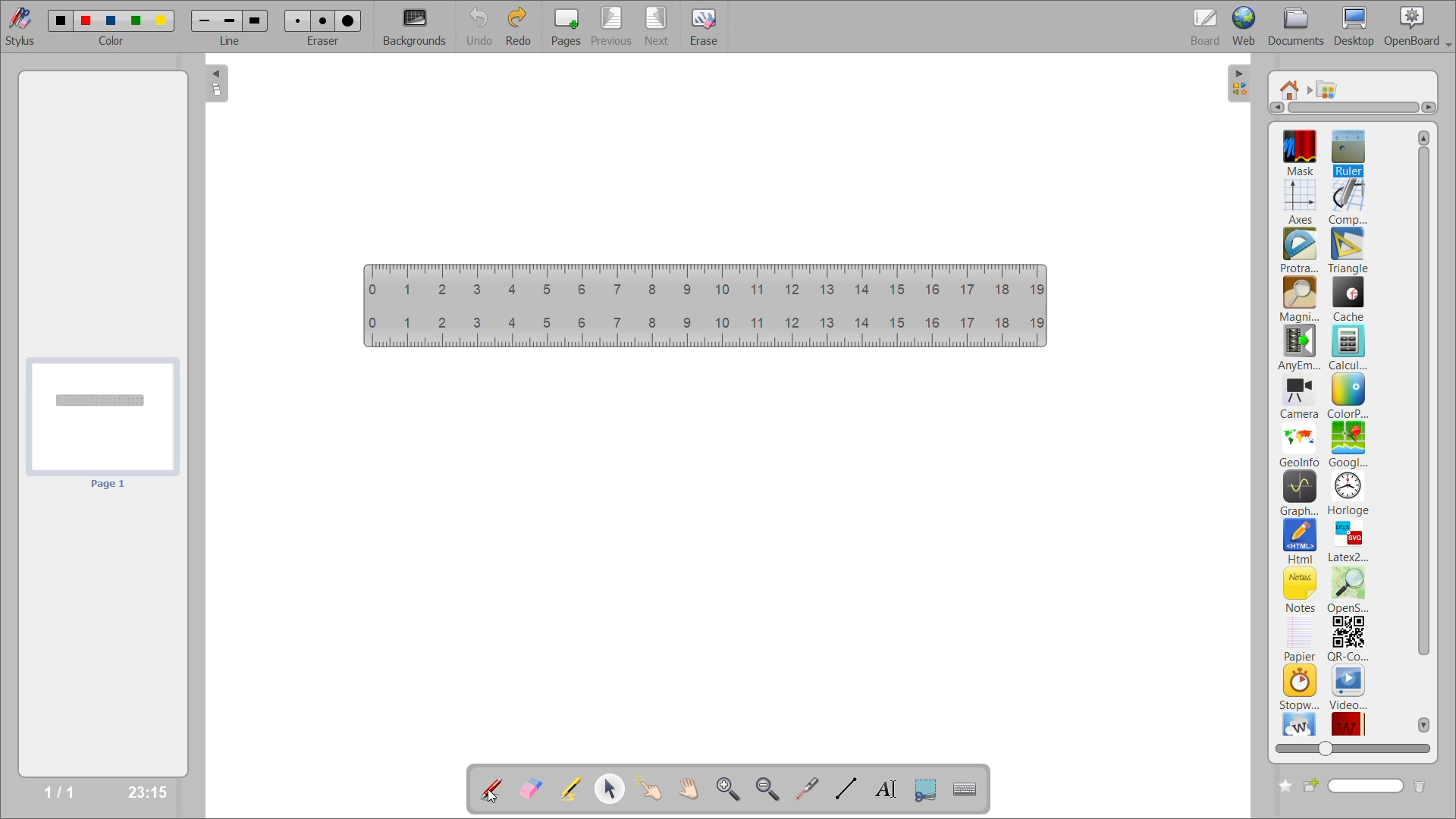 The image size is (1456, 819). What do you see at coordinates (522, 25) in the screenshot?
I see `redo` at bounding box center [522, 25].